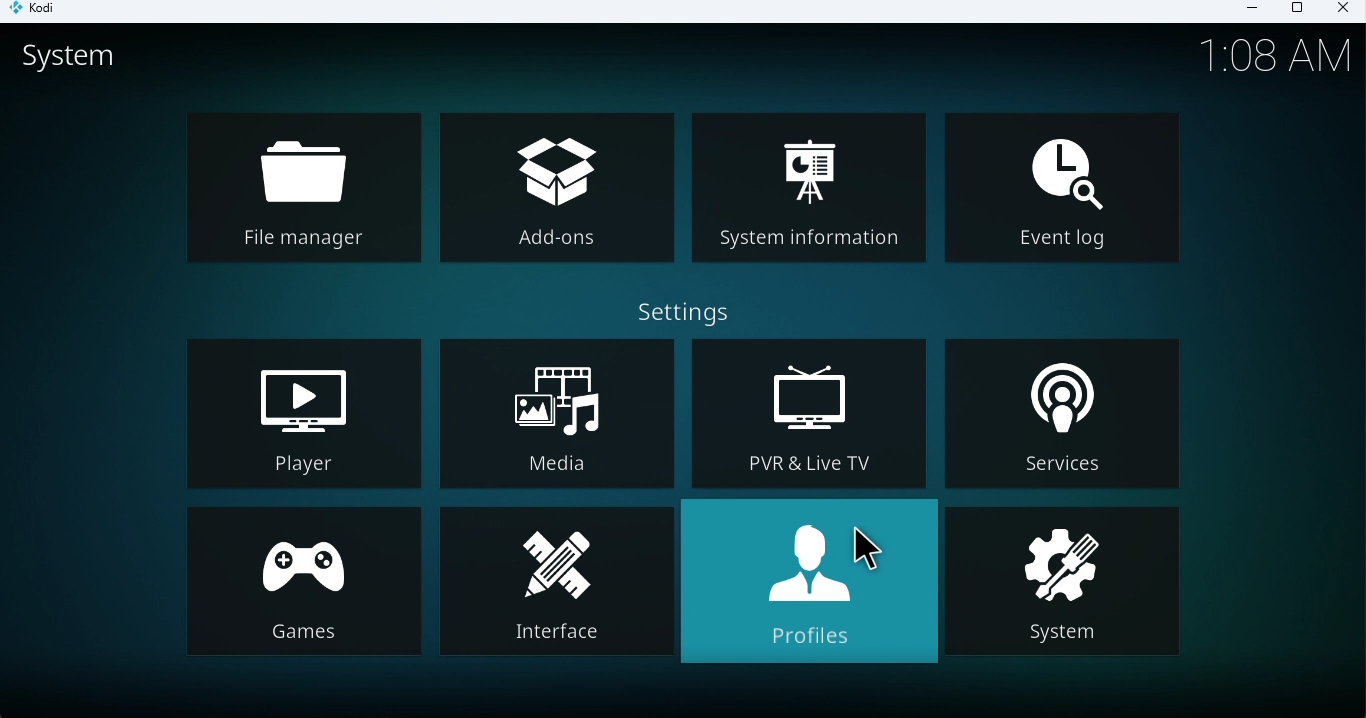  Describe the element at coordinates (302, 584) in the screenshot. I see `Games` at that location.